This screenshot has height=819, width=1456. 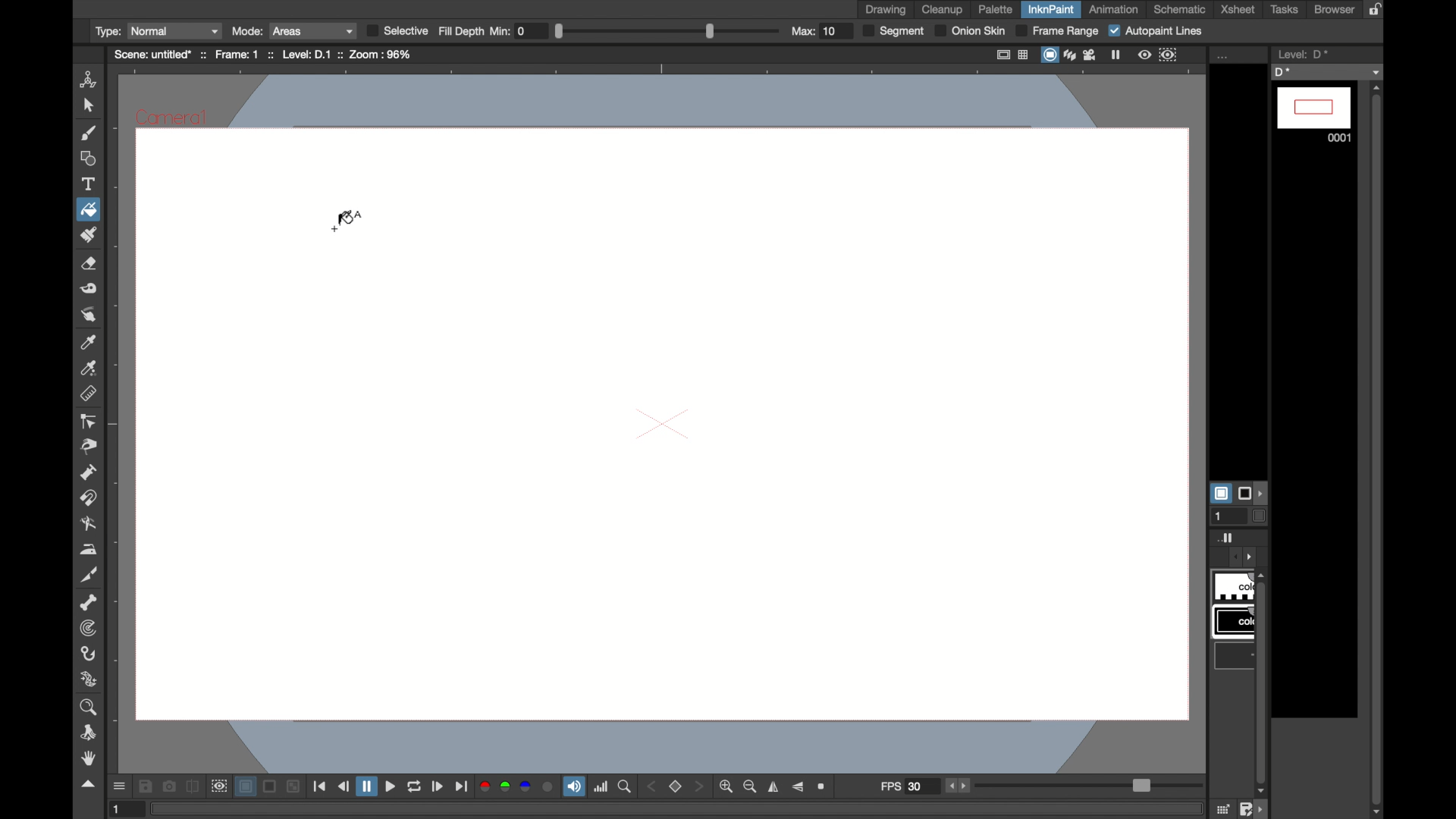 I want to click on save, so click(x=146, y=786).